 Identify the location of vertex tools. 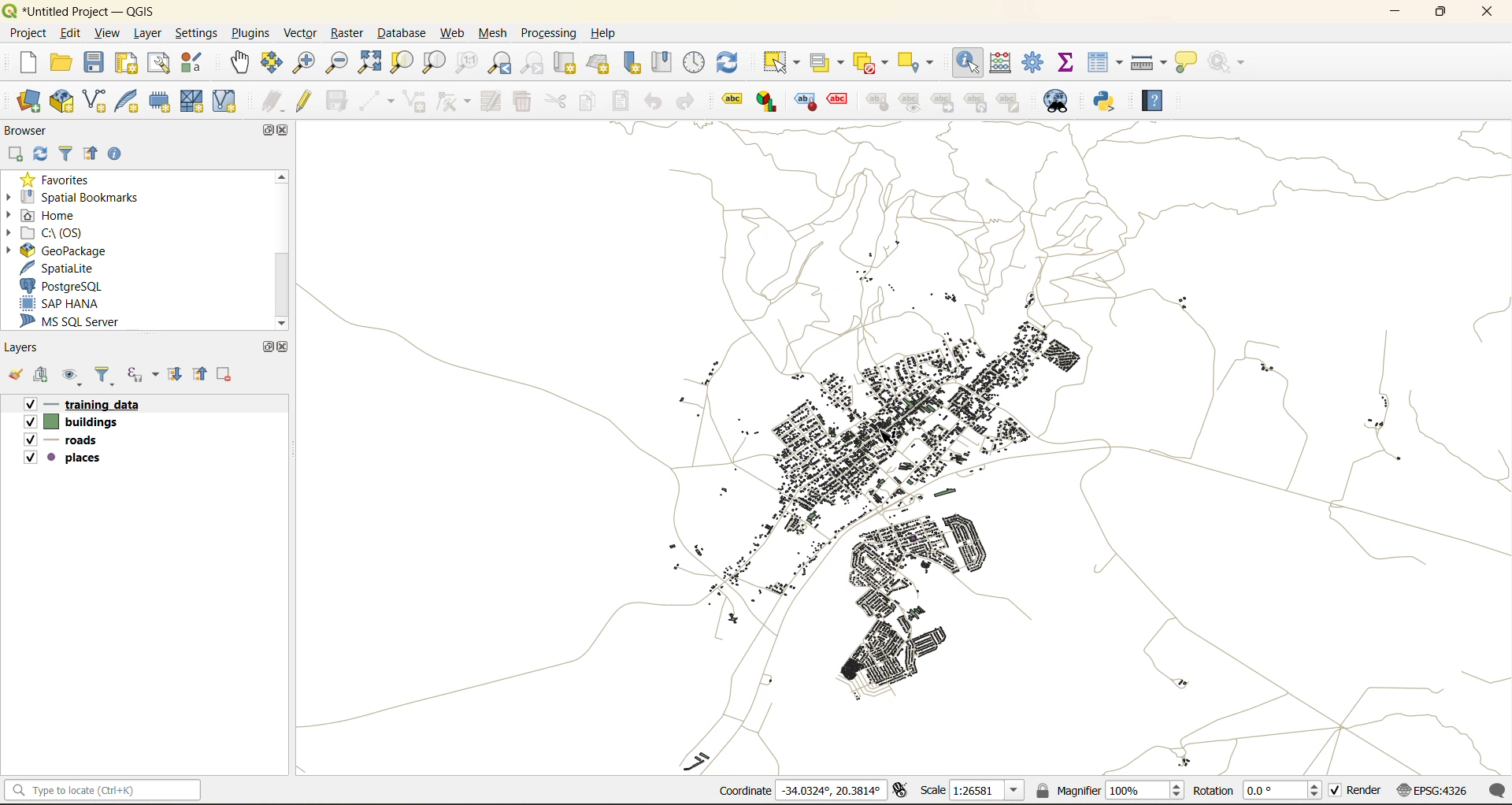
(454, 102).